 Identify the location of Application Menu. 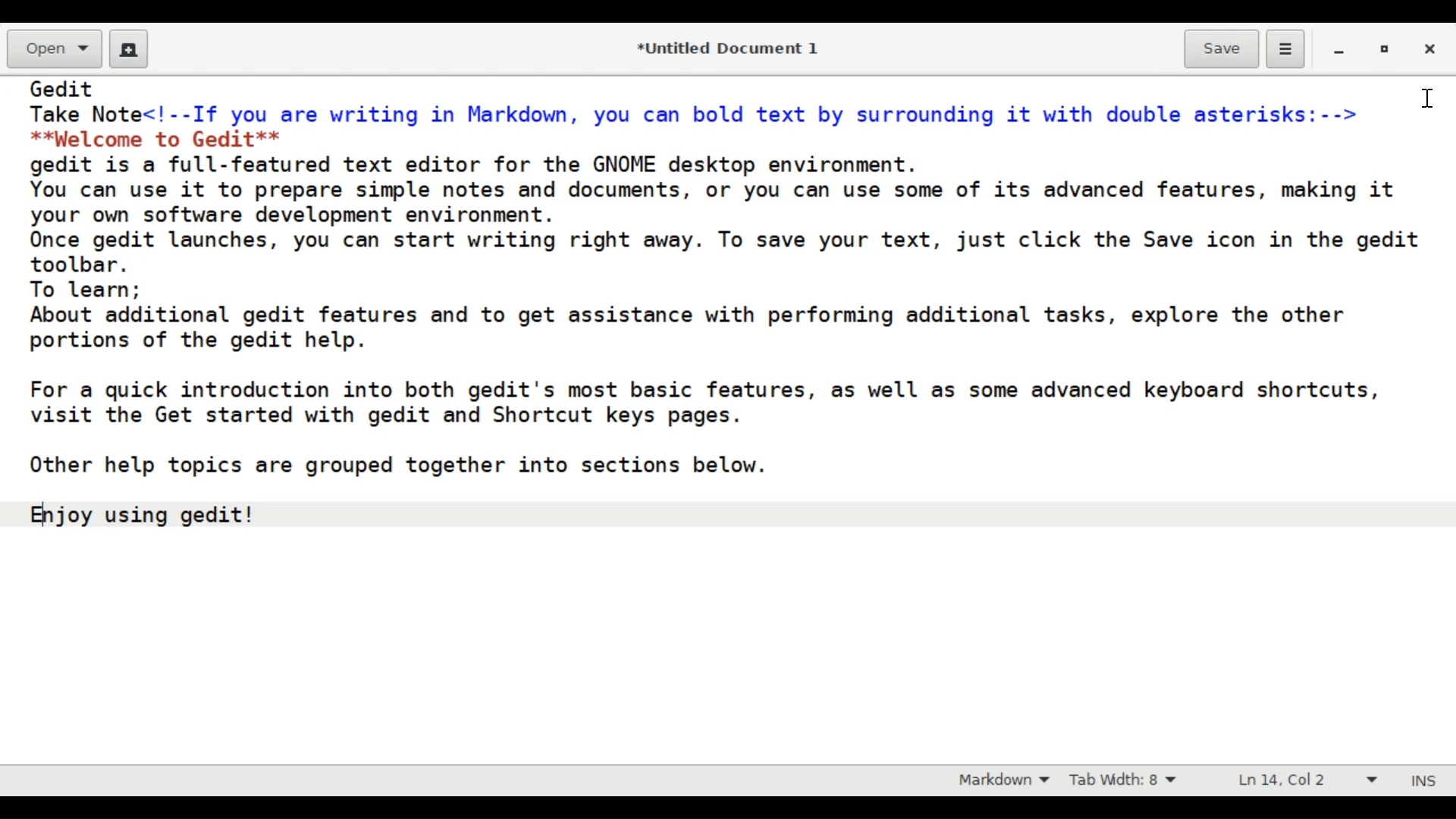
(1287, 52).